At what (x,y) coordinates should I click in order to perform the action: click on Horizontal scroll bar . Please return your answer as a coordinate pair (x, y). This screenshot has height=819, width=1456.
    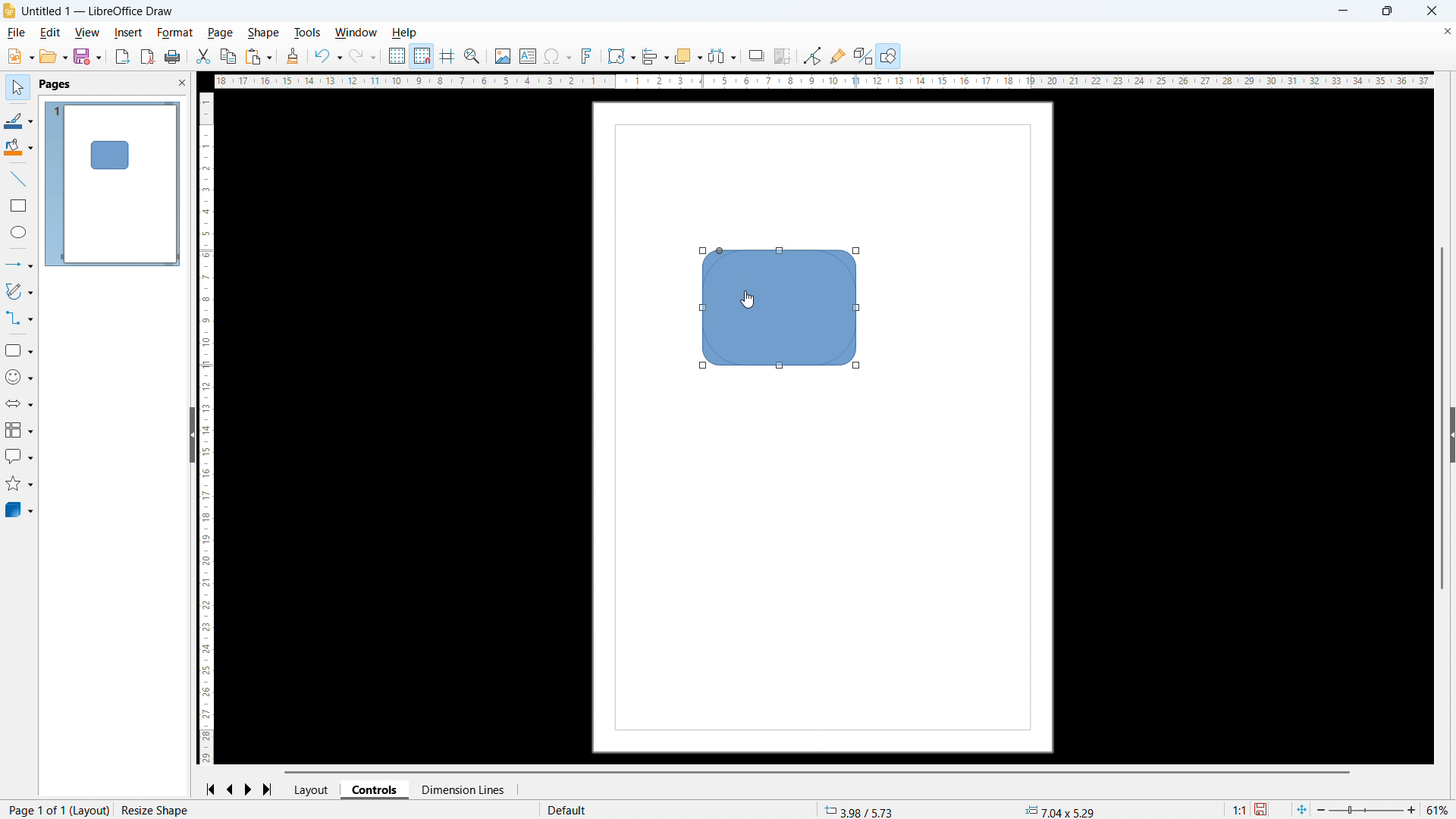
    Looking at the image, I should click on (818, 772).